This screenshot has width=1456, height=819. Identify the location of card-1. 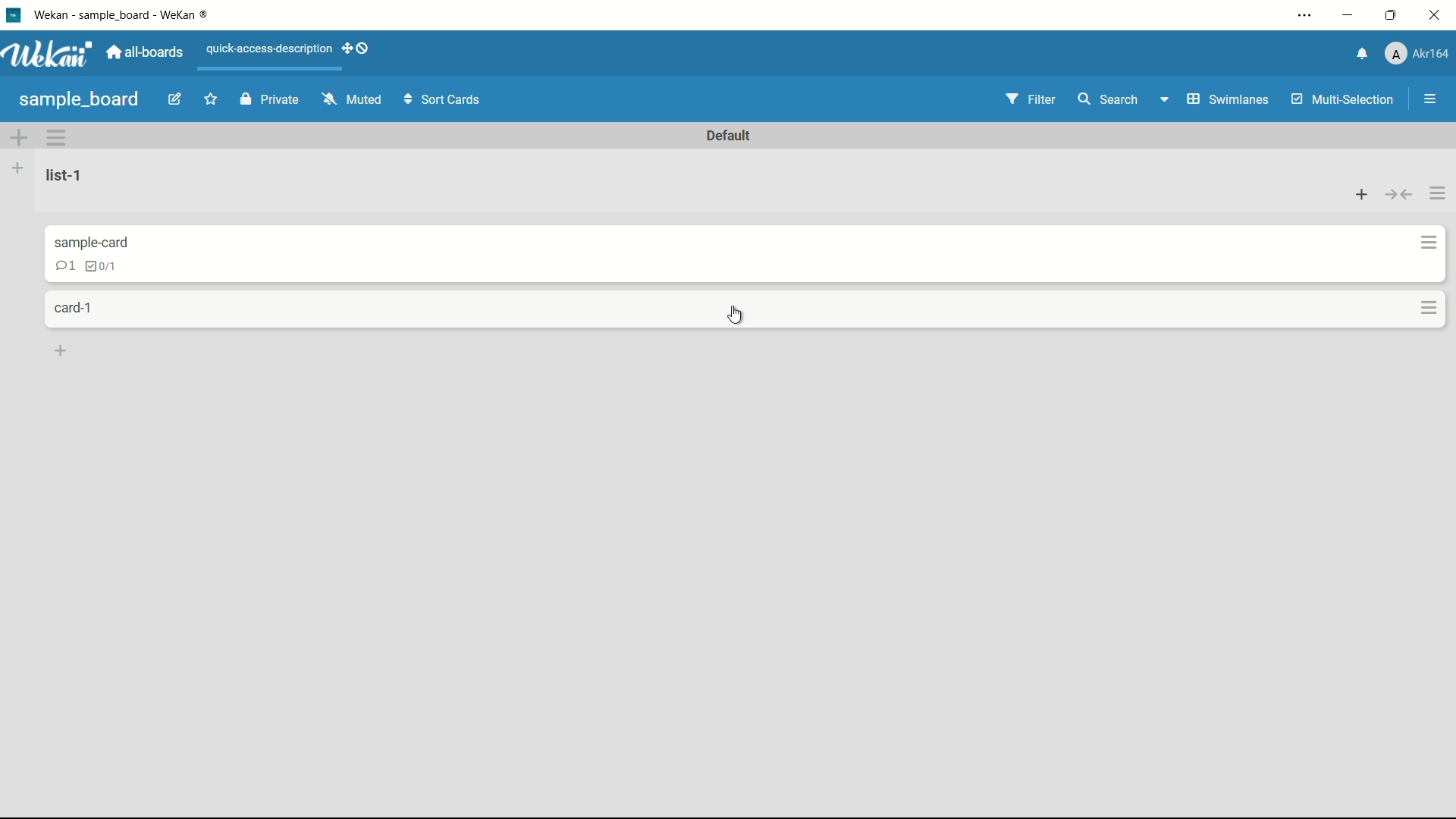
(74, 309).